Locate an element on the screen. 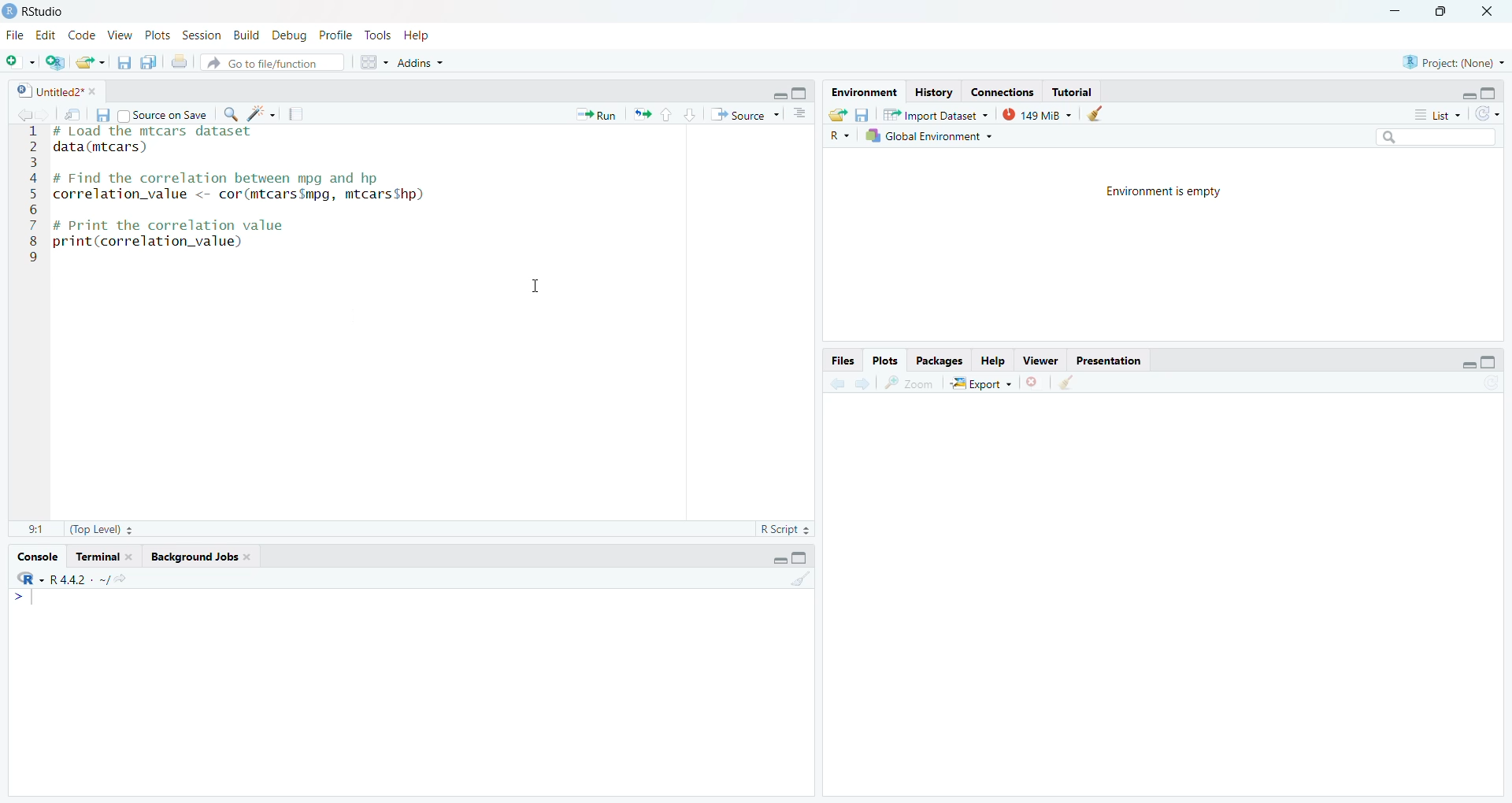  Connections is located at coordinates (1002, 92).